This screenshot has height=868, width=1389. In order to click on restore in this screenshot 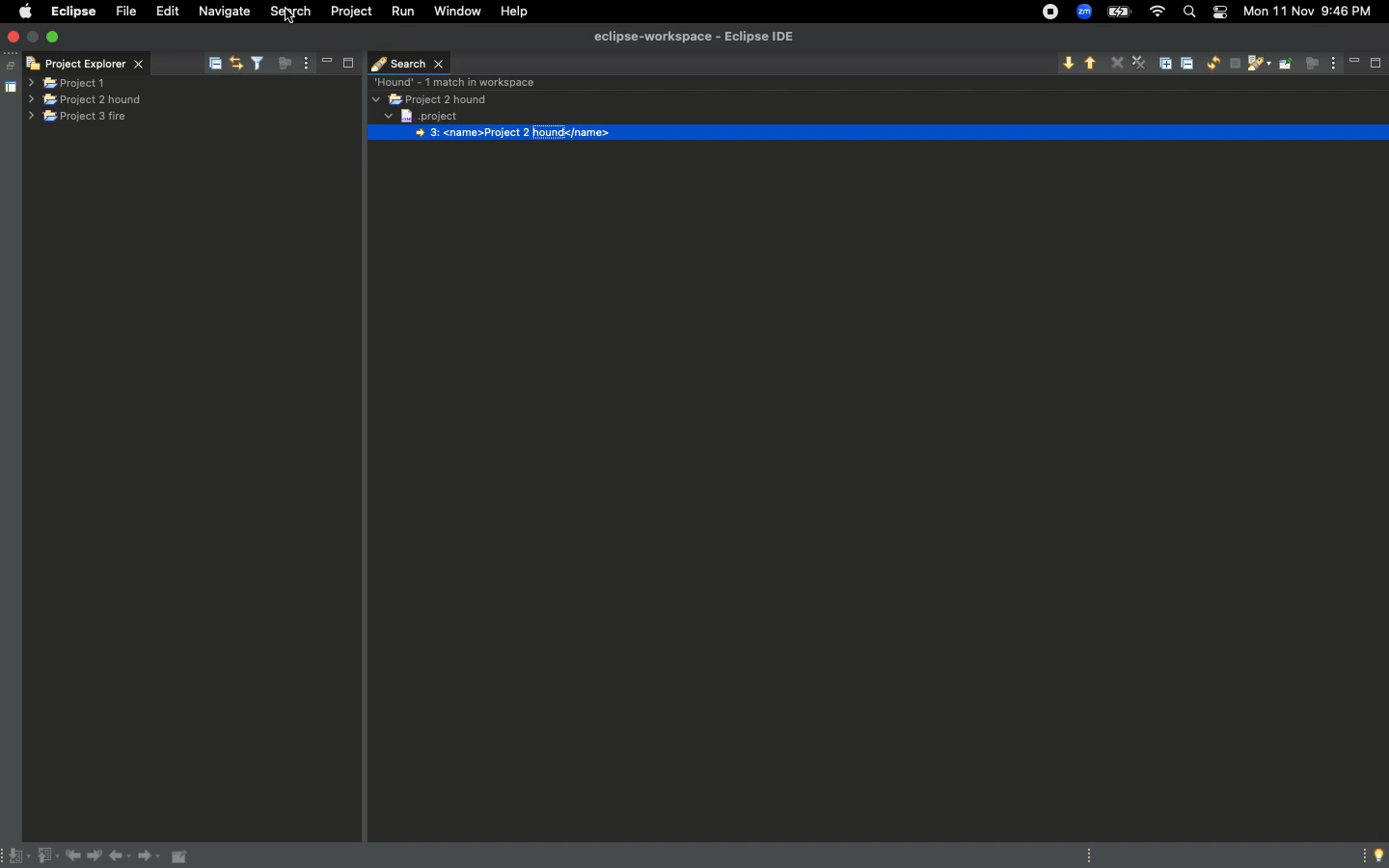, I will do `click(9, 60)`.